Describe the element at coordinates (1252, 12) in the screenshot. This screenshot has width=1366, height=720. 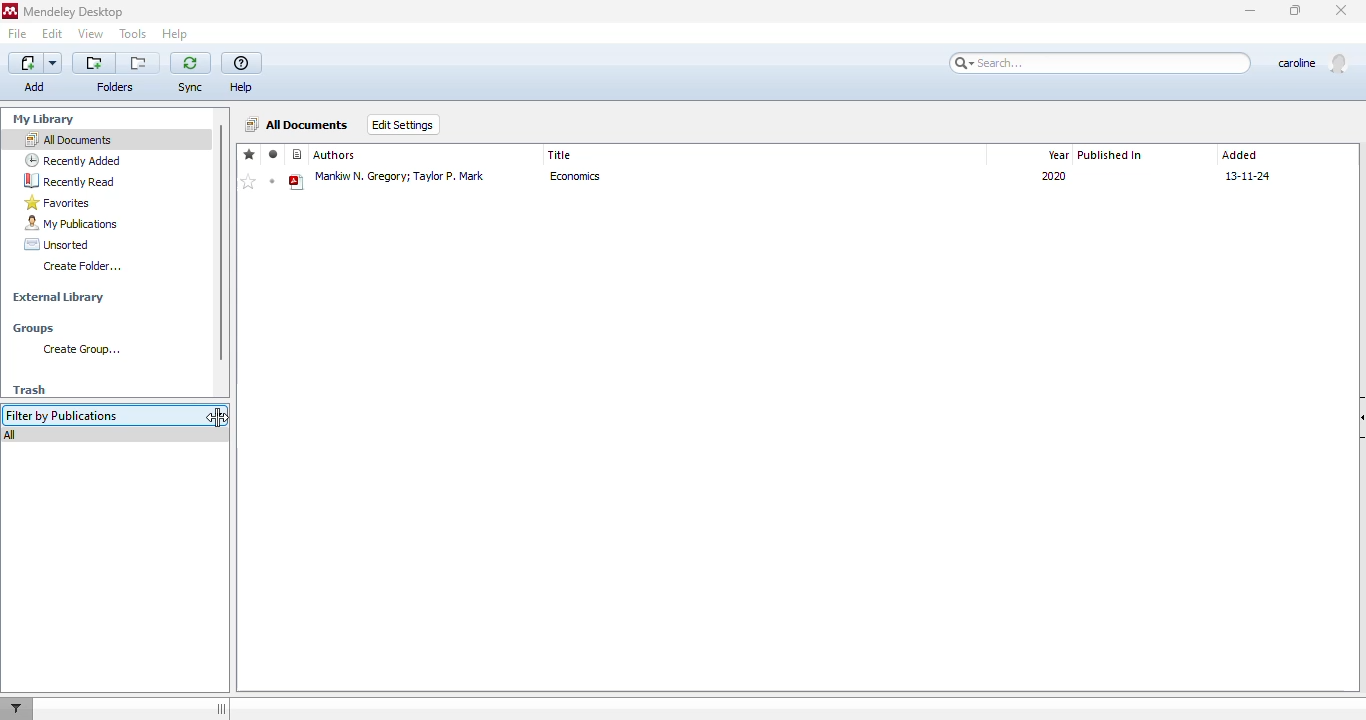
I see `minimize` at that location.